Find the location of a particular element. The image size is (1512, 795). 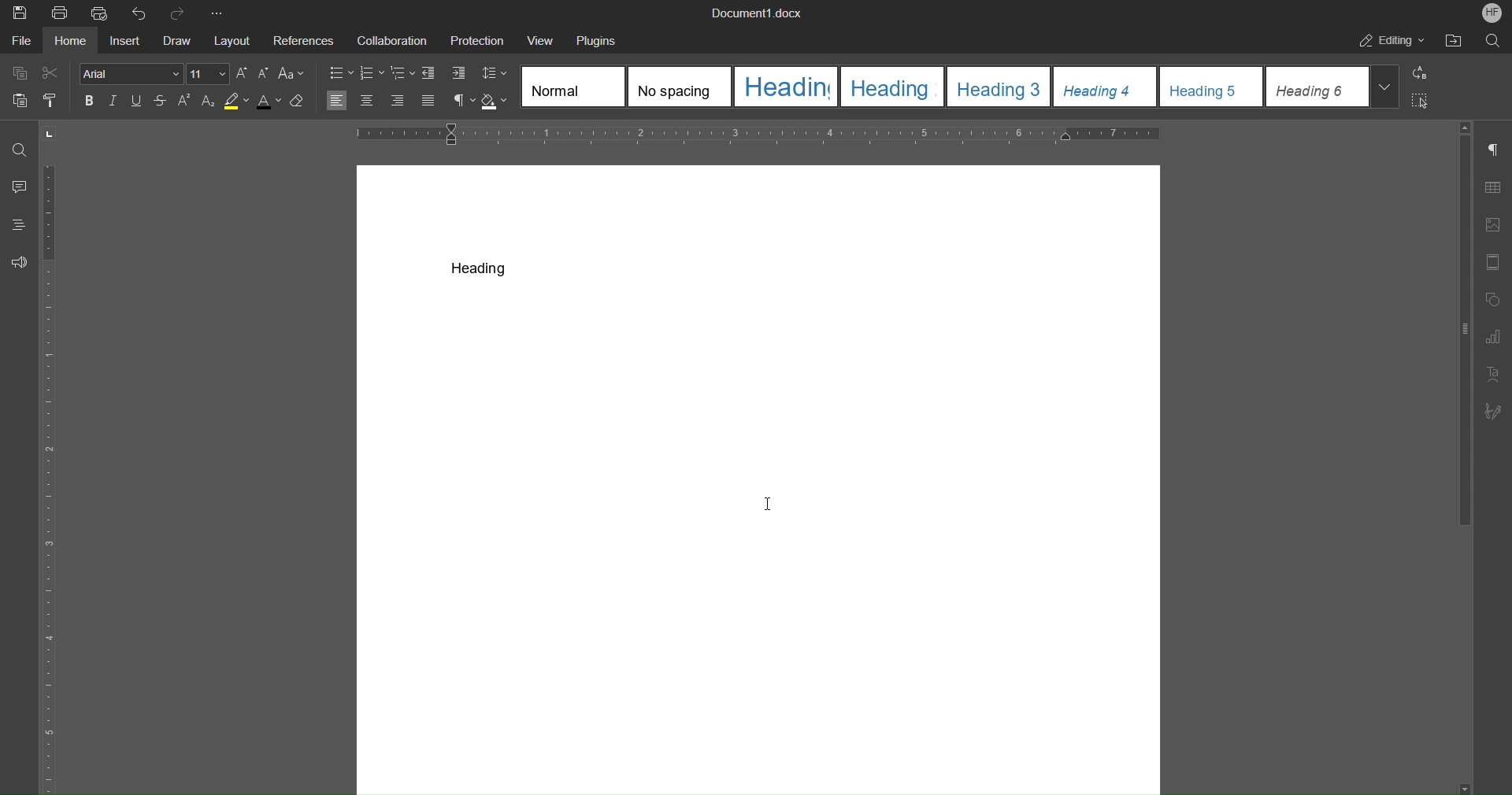

Heading is located at coordinates (481, 267).